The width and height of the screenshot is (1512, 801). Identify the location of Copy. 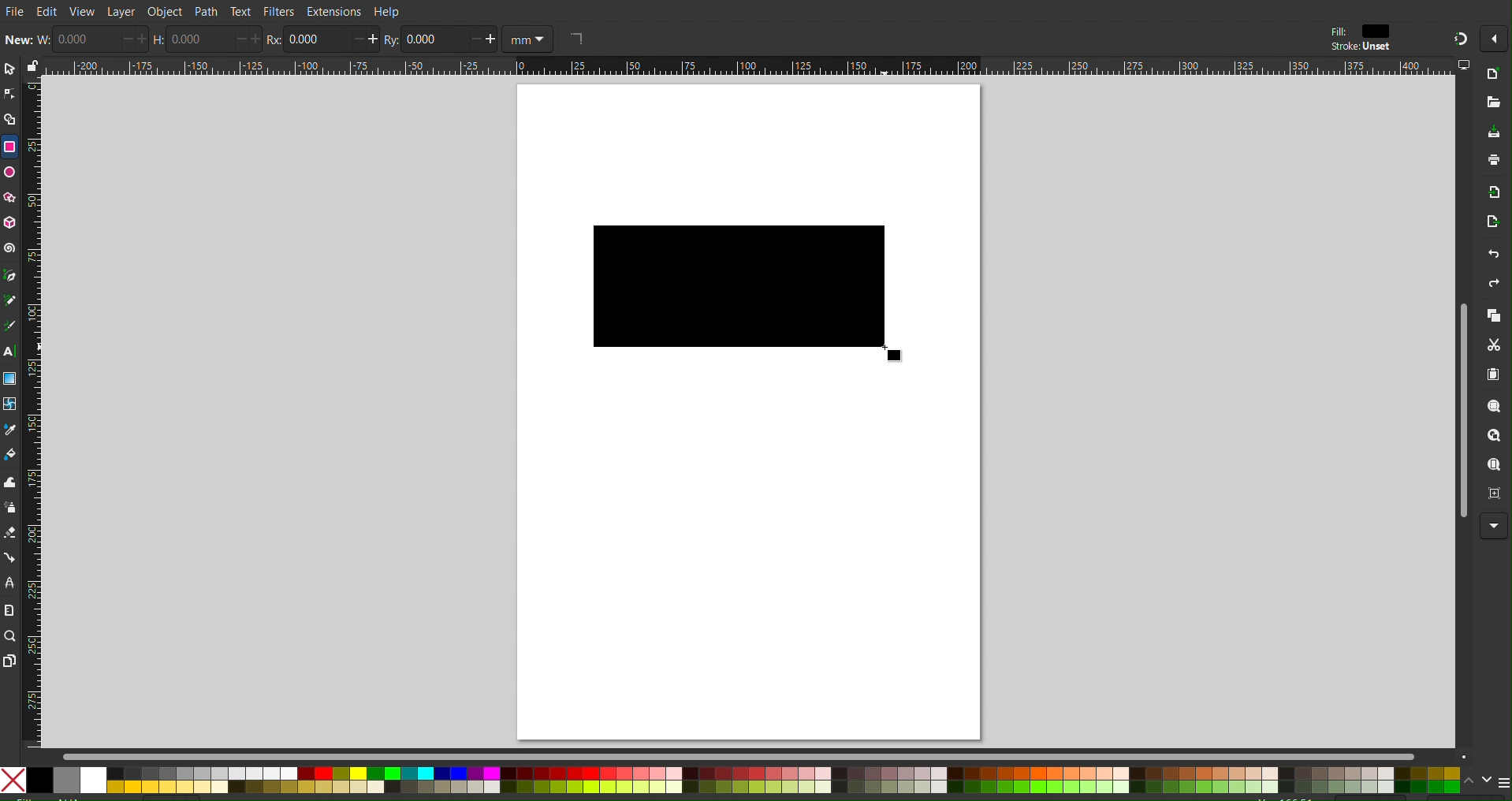
(1495, 317).